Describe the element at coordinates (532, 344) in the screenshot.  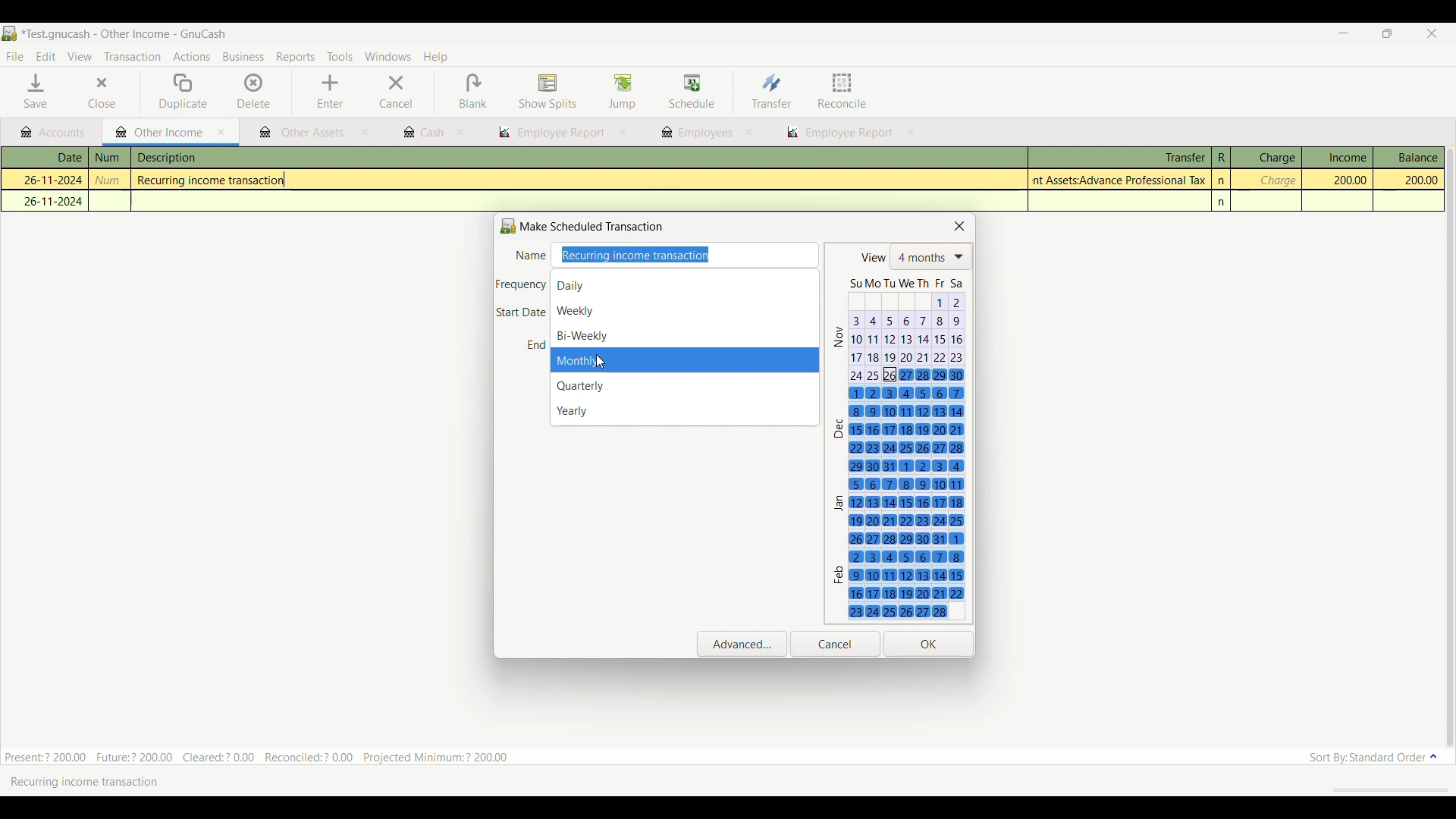
I see `End` at that location.